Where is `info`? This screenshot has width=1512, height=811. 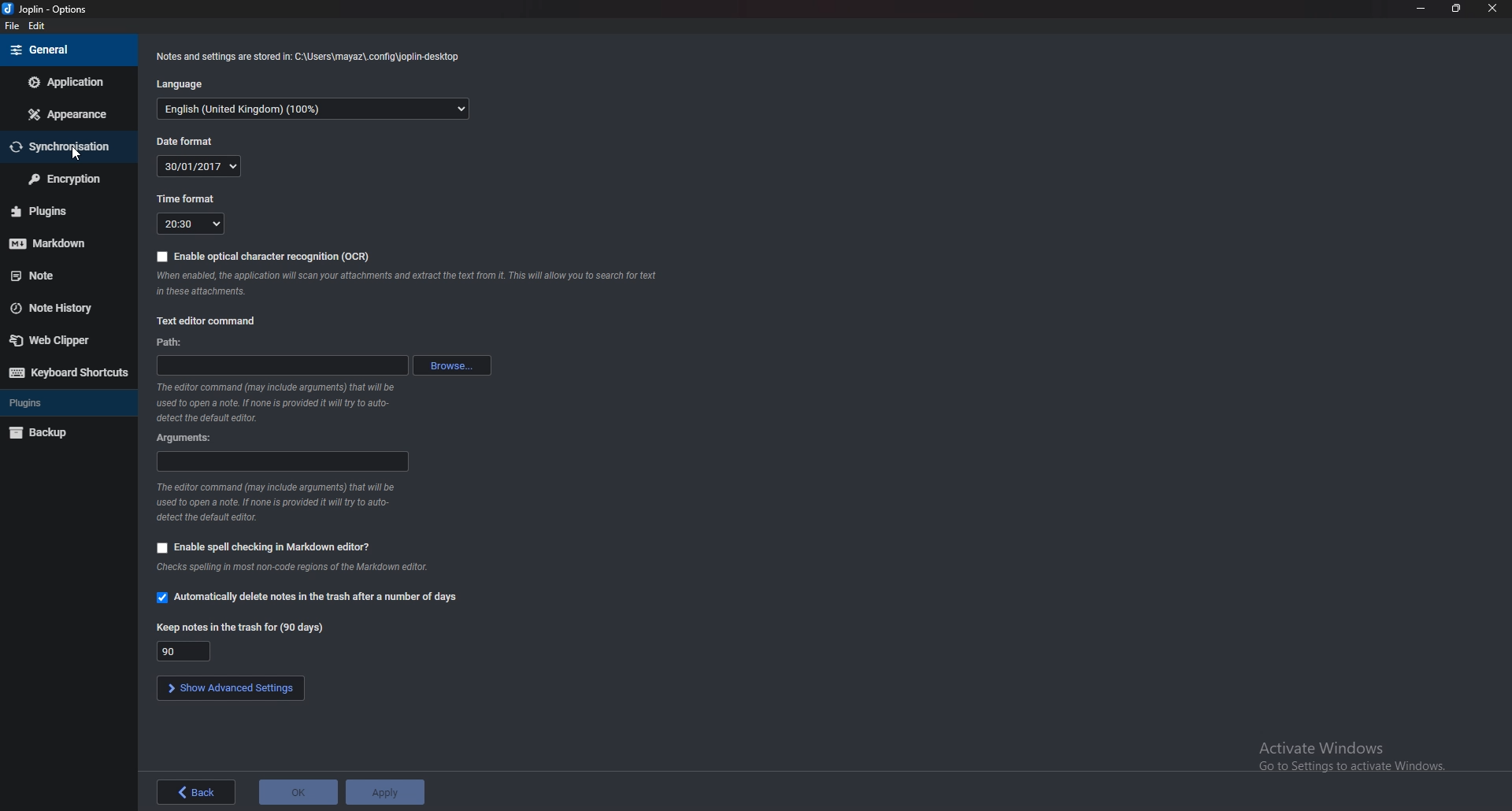
info is located at coordinates (406, 283).